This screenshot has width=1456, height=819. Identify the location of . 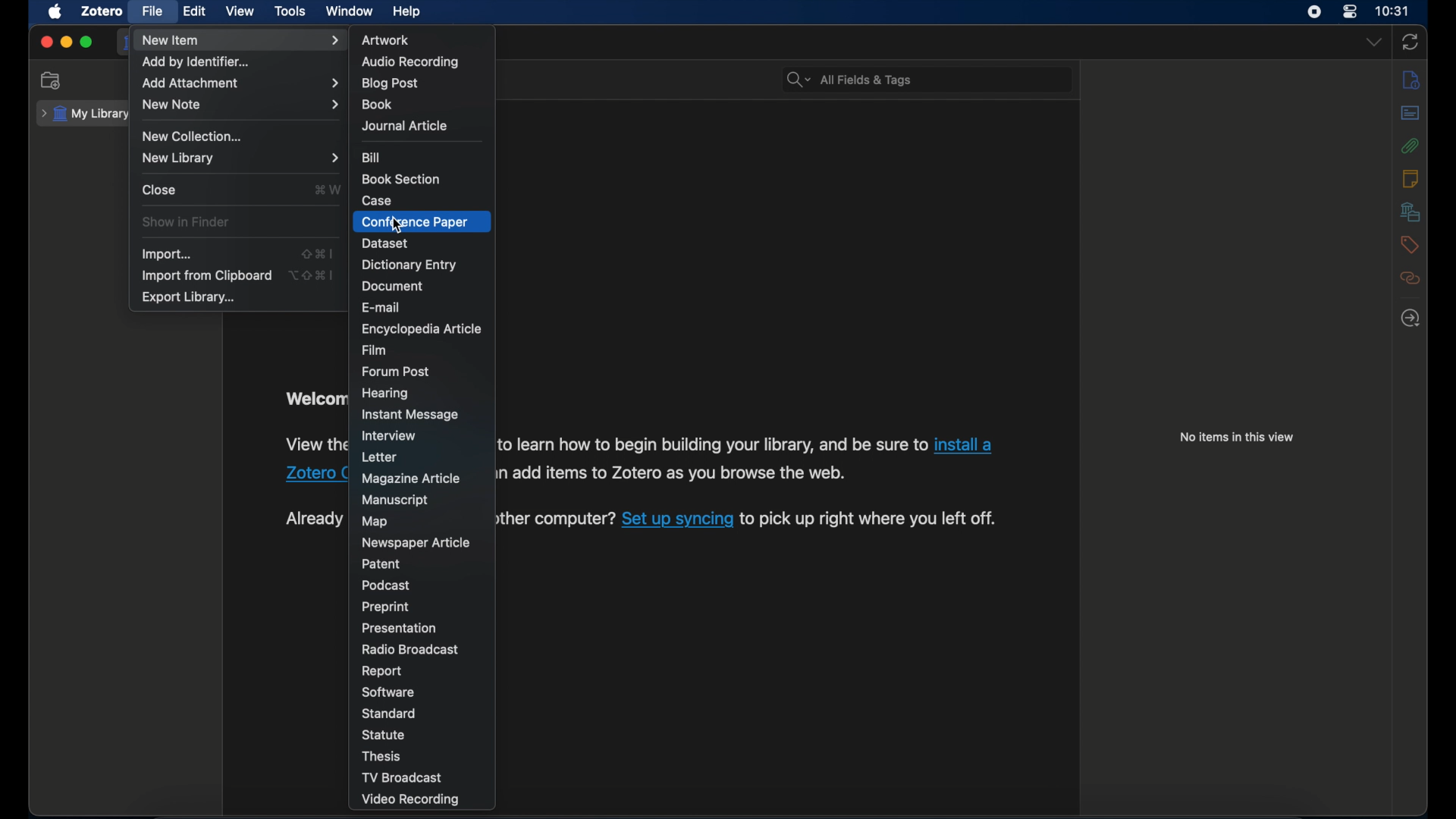
(313, 474).